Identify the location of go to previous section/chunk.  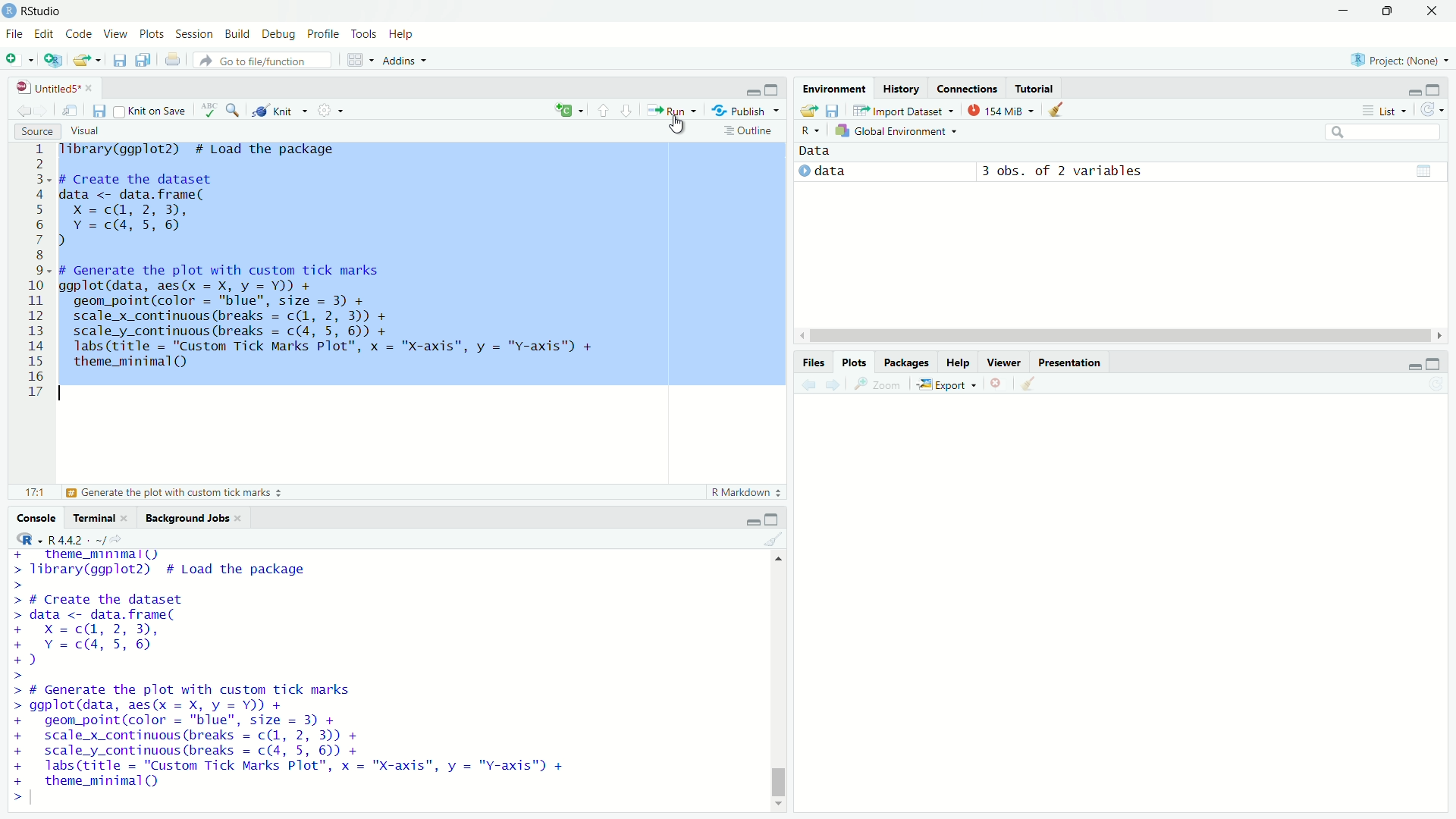
(602, 110).